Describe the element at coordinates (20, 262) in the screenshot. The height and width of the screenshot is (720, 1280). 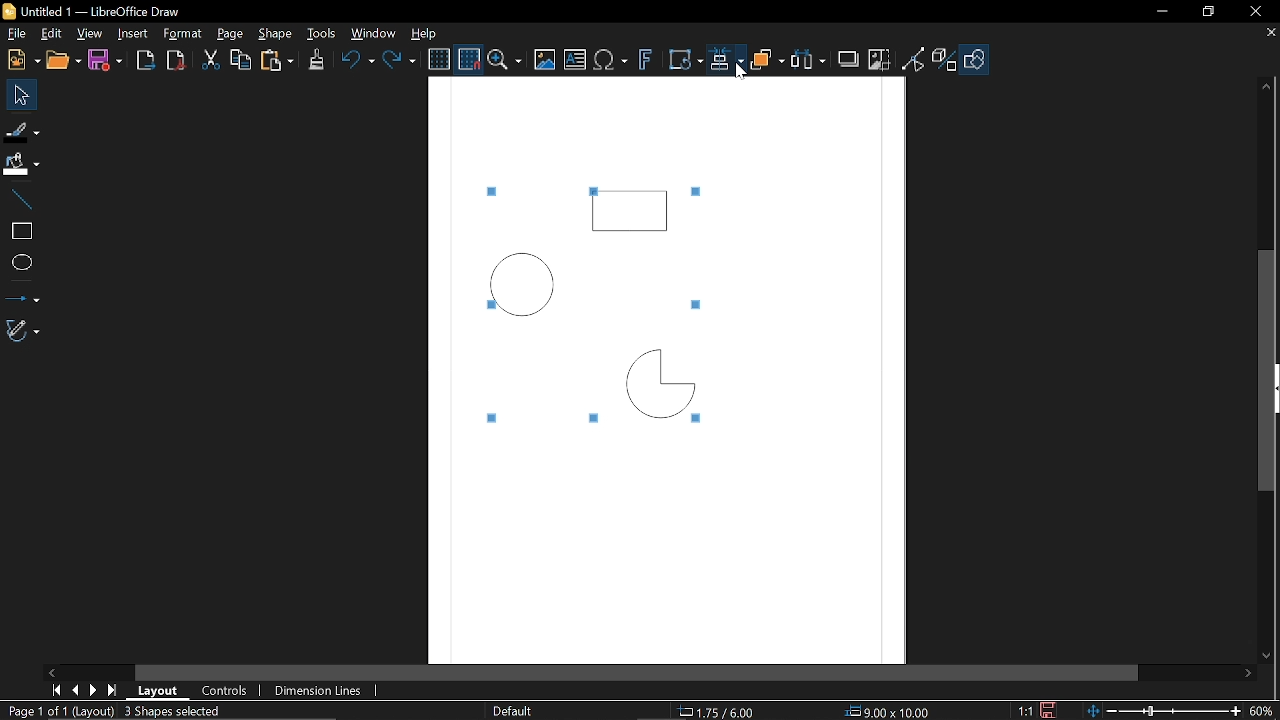
I see `Ellips` at that location.